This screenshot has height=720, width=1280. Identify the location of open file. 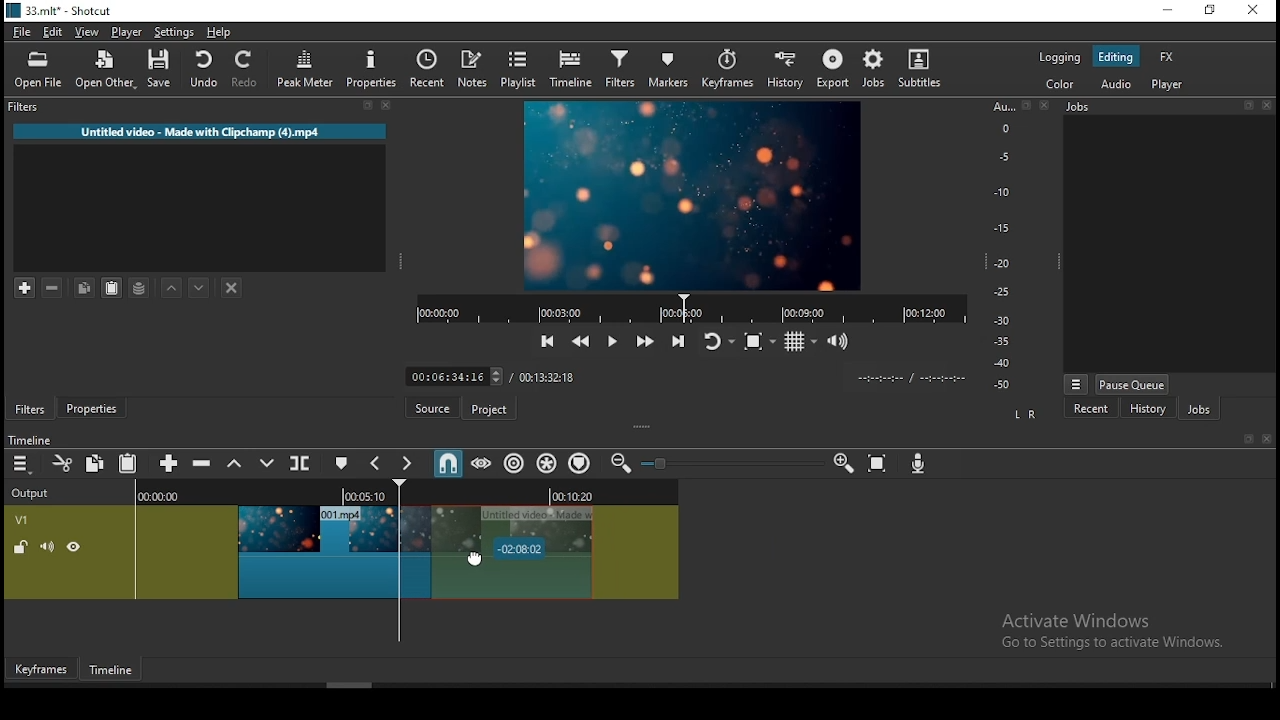
(43, 72).